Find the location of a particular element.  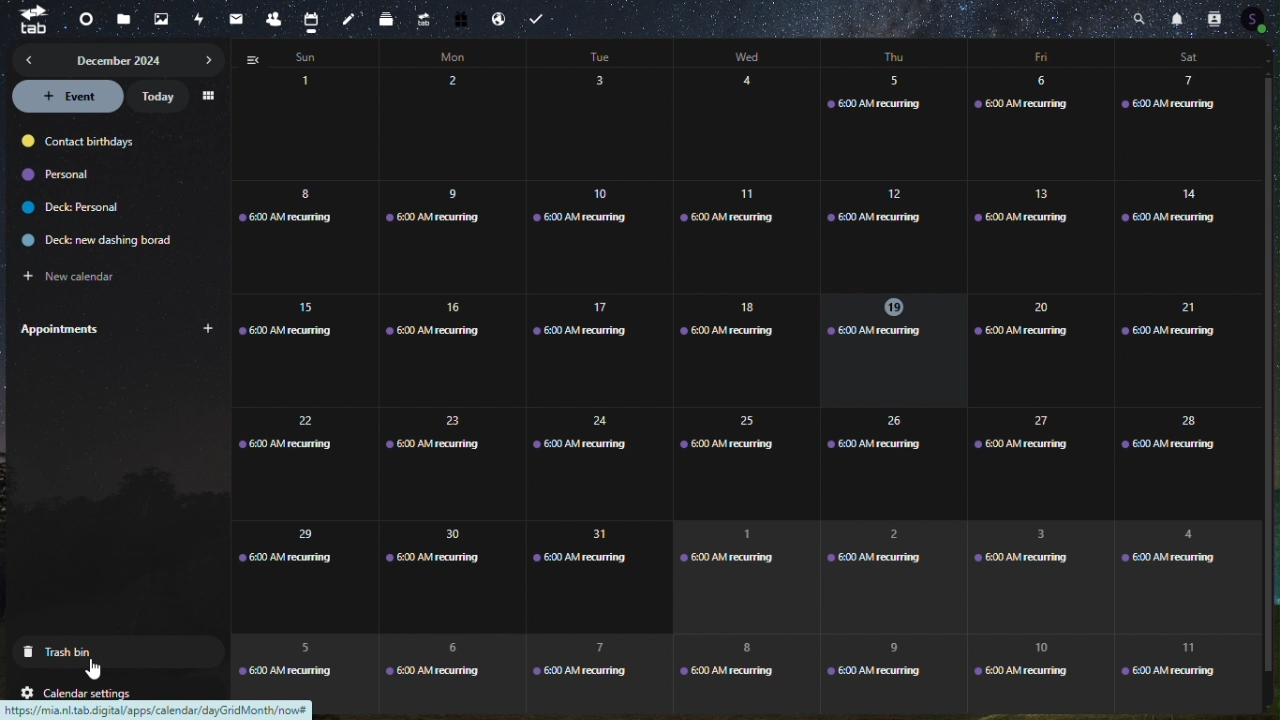

6 is located at coordinates (435, 669).